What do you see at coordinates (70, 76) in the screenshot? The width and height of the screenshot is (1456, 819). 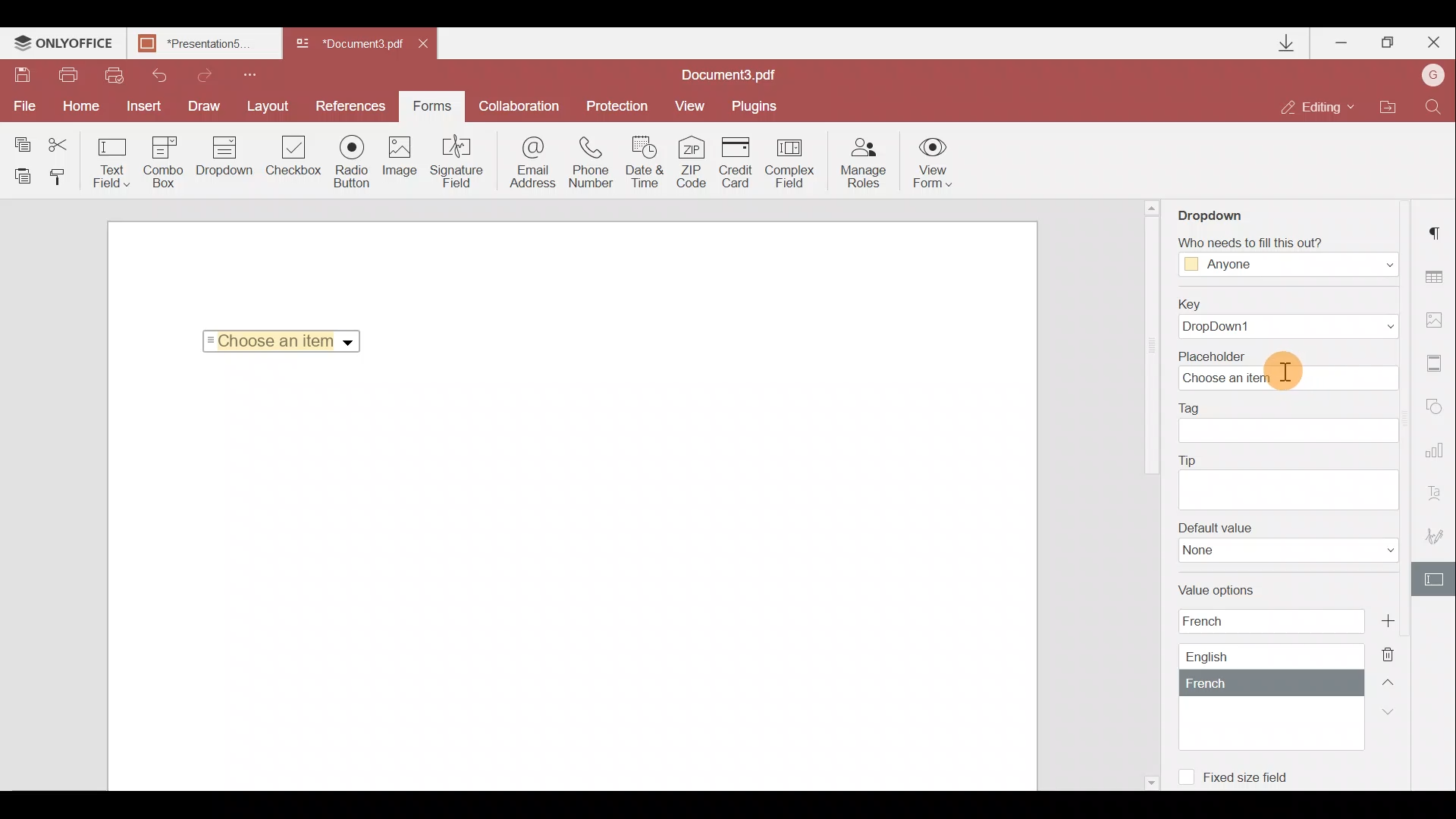 I see `Print file` at bounding box center [70, 76].